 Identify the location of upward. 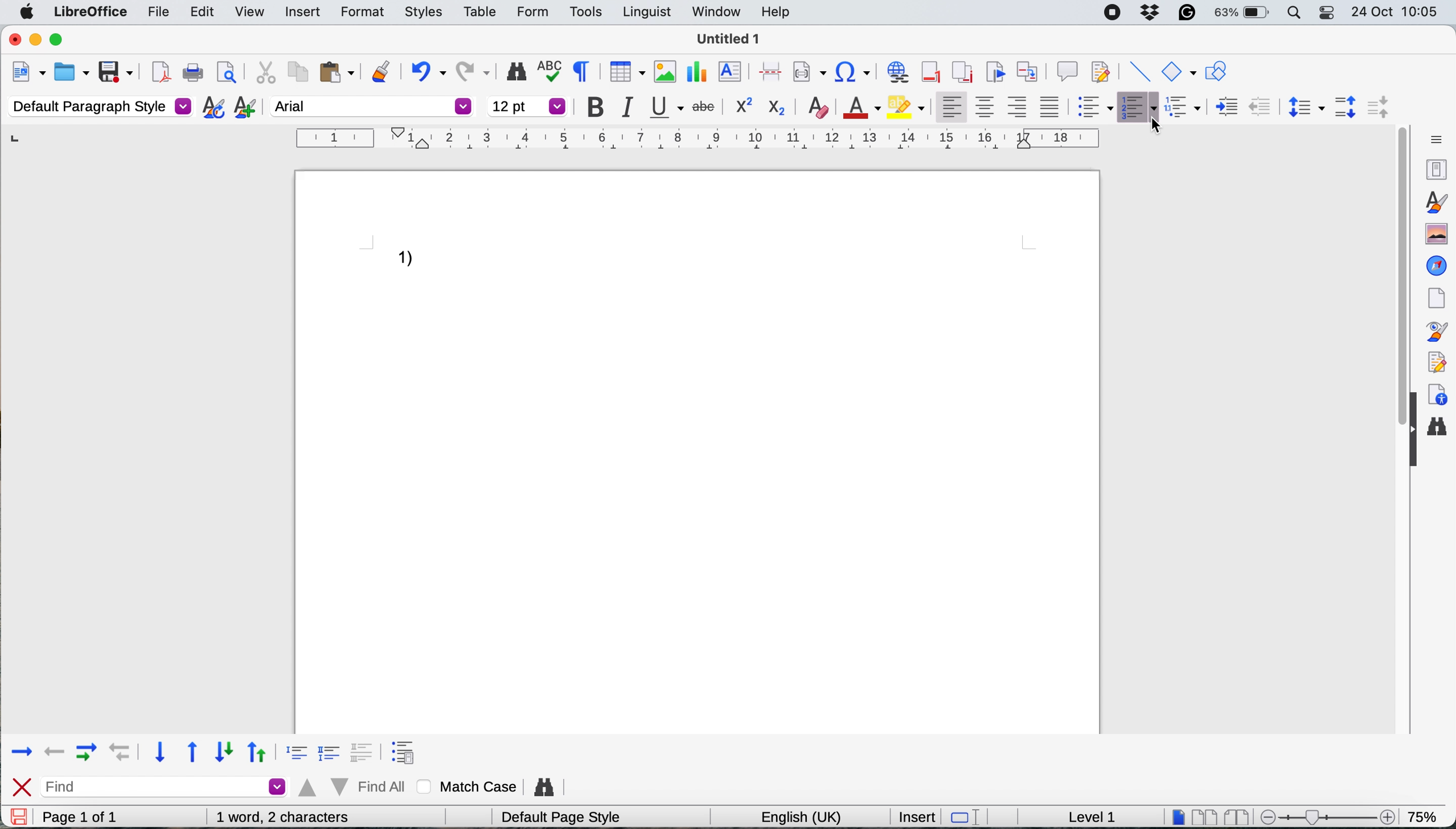
(194, 753).